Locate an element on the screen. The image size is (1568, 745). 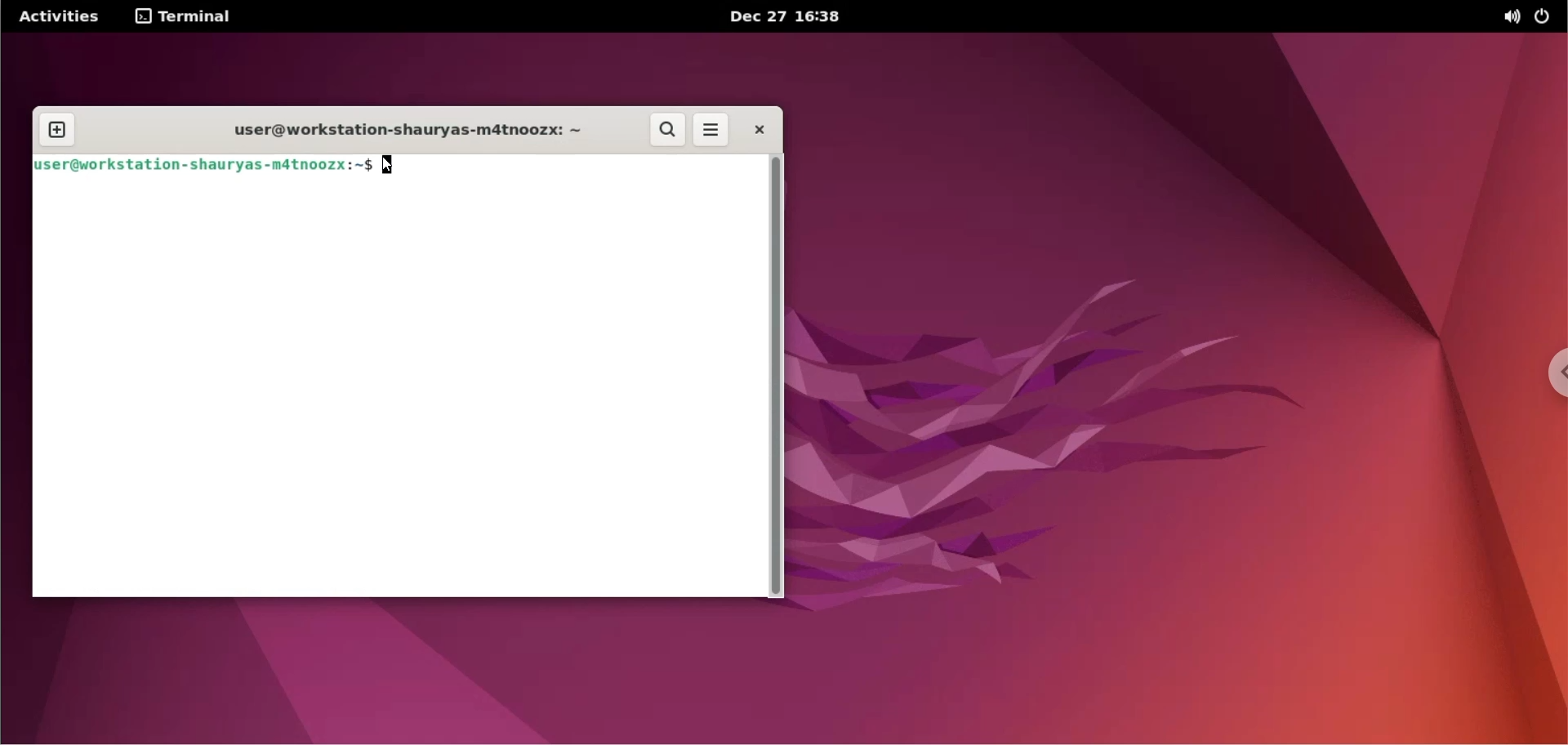
Volume is located at coordinates (1503, 17).